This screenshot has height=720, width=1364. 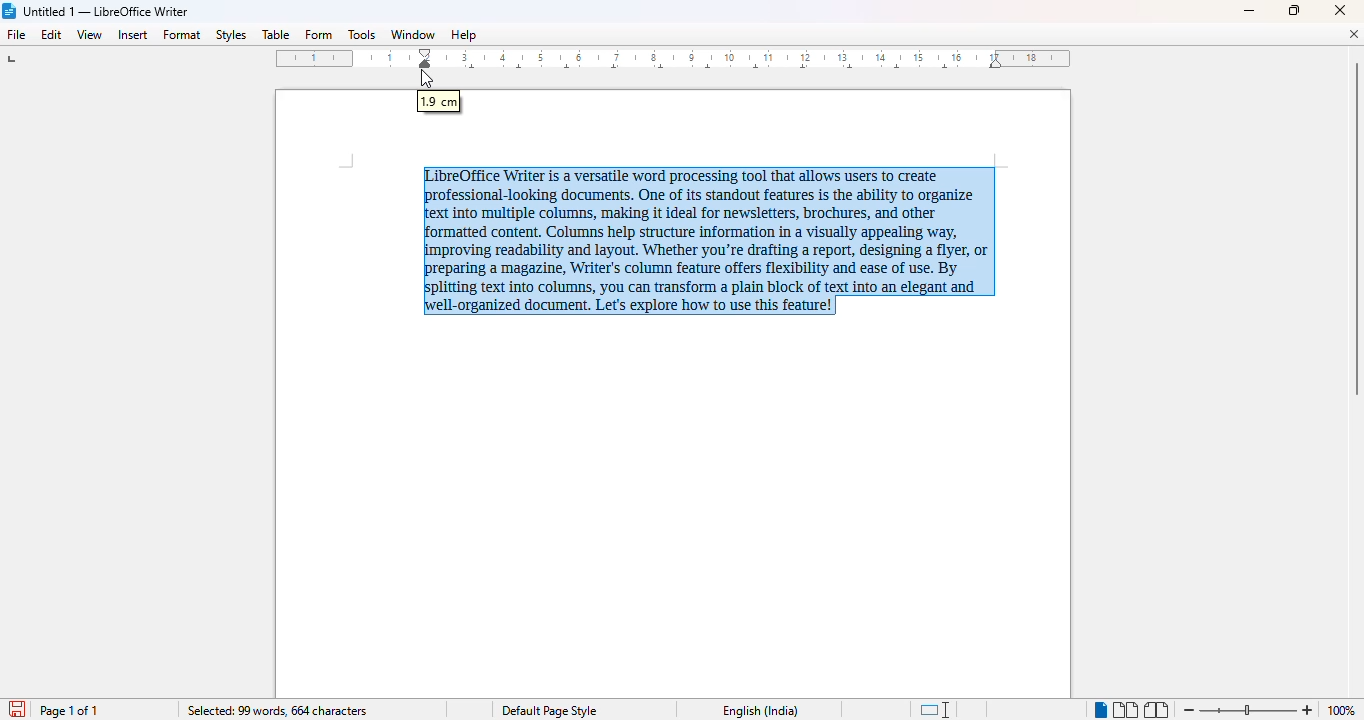 What do you see at coordinates (766, 711) in the screenshot?
I see `English (India)` at bounding box center [766, 711].